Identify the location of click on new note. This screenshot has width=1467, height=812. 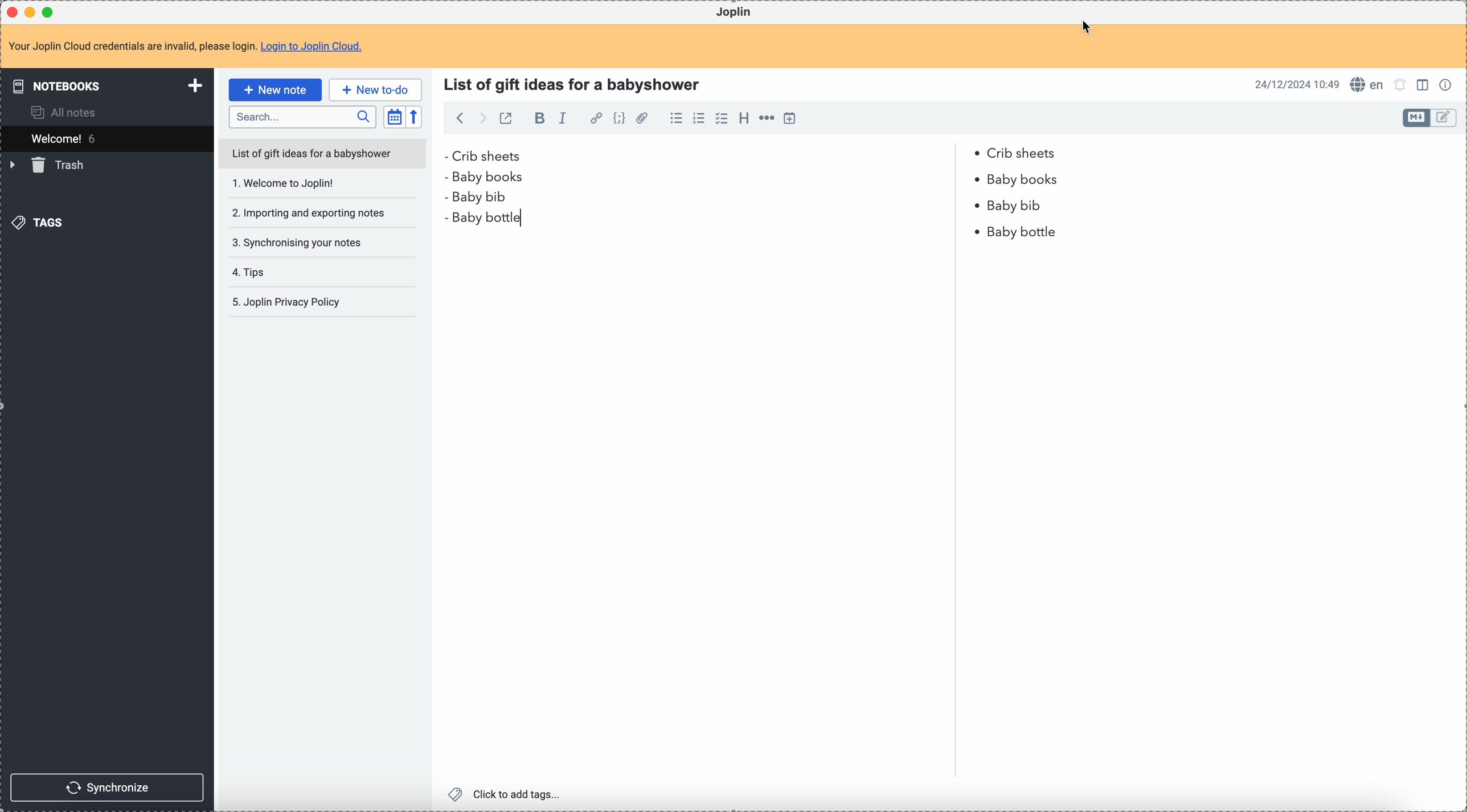
(274, 90).